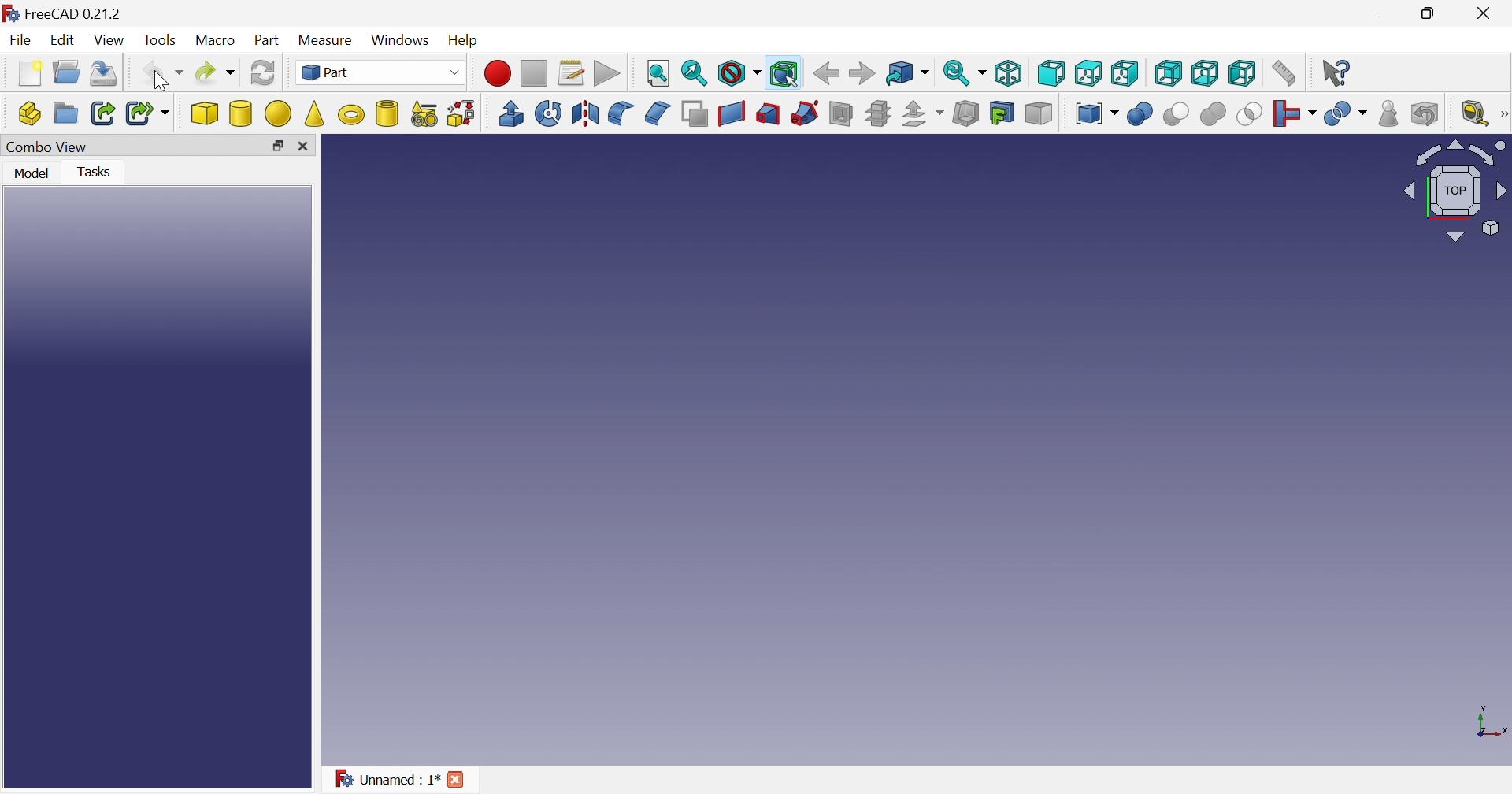 The height and width of the screenshot is (794, 1512). What do you see at coordinates (804, 114) in the screenshot?
I see `Sweep...` at bounding box center [804, 114].